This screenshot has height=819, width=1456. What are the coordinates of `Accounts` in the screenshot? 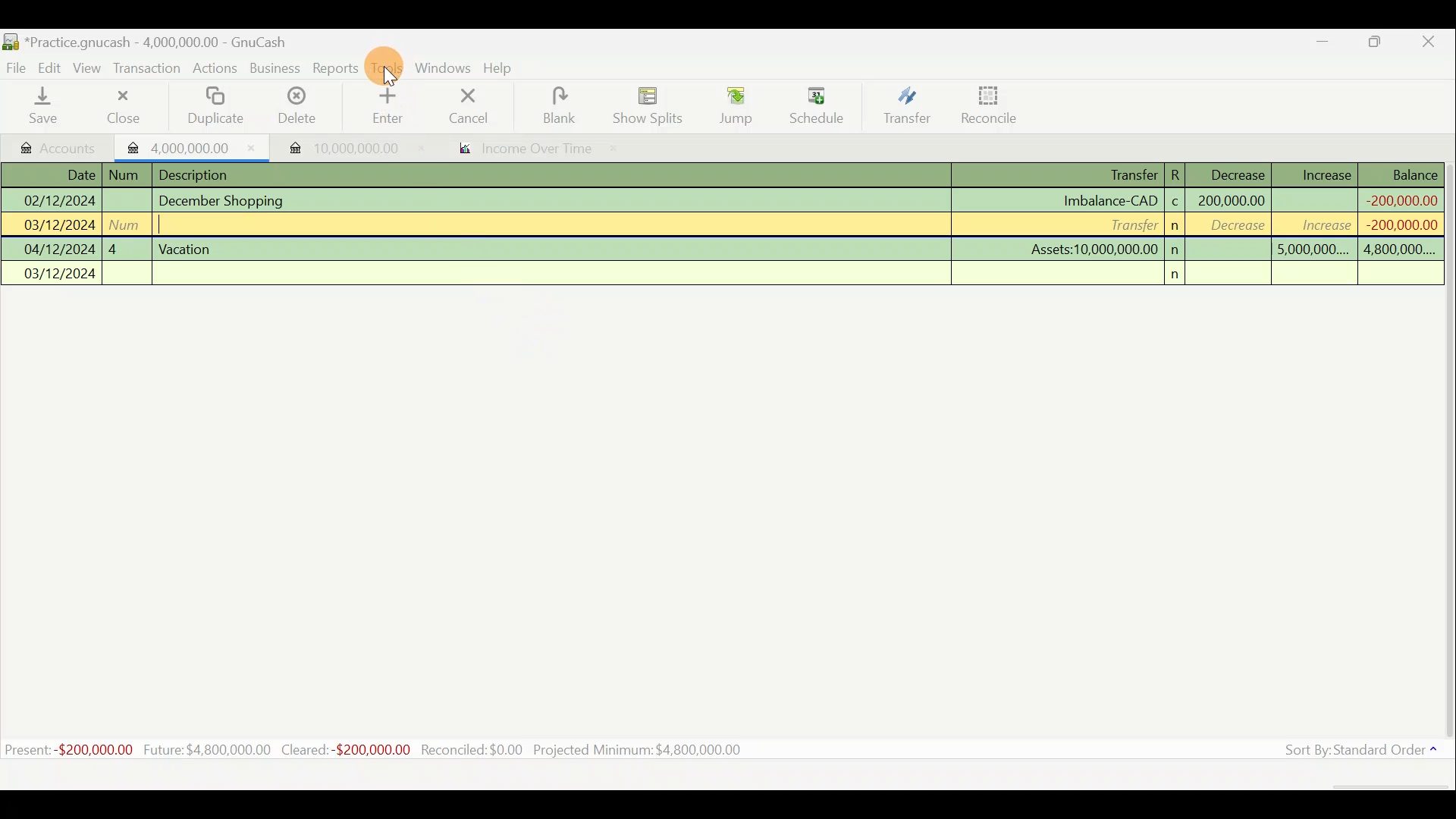 It's located at (53, 145).